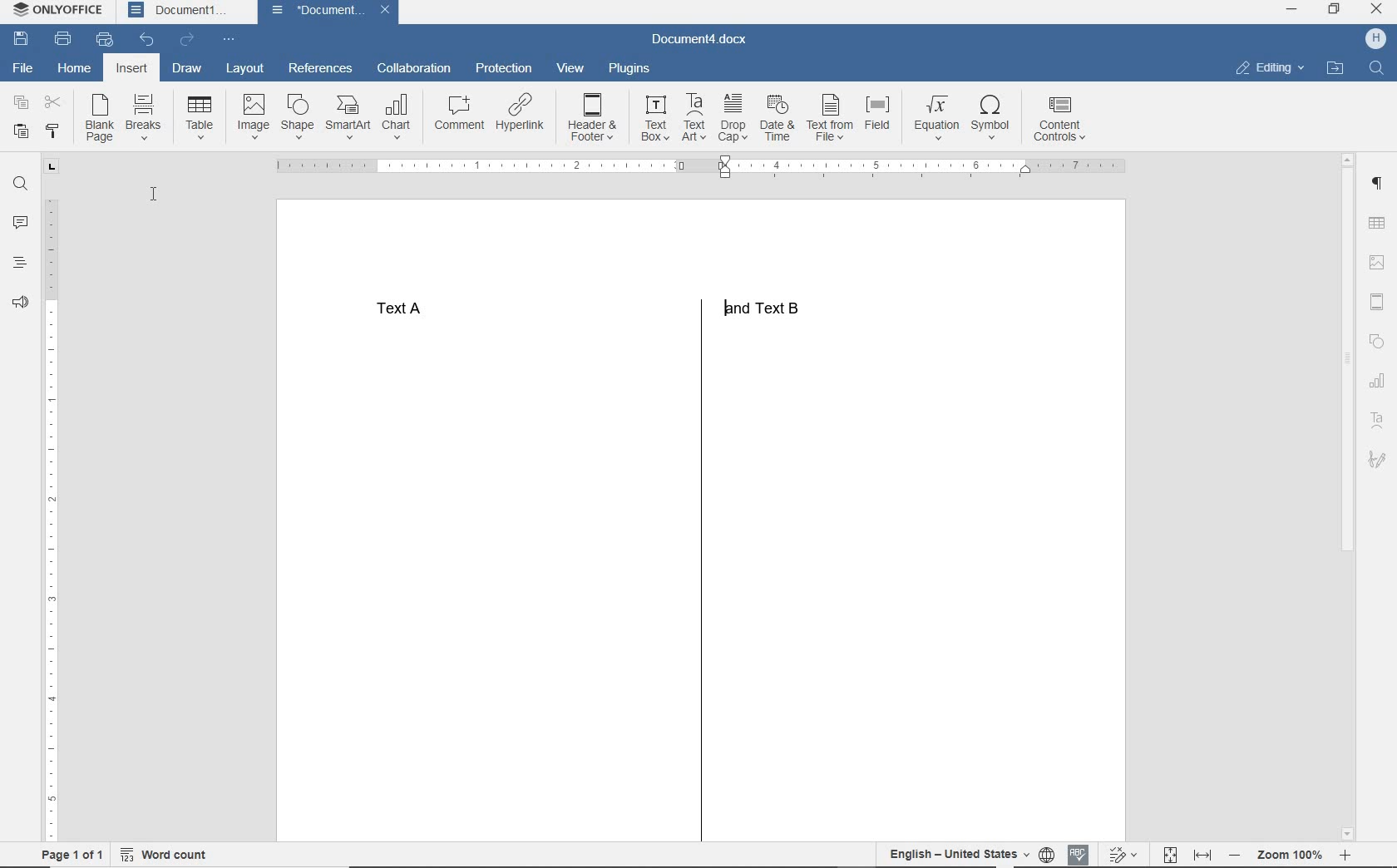 The image size is (1397, 868). What do you see at coordinates (655, 119) in the screenshot?
I see `TEXT BOX` at bounding box center [655, 119].